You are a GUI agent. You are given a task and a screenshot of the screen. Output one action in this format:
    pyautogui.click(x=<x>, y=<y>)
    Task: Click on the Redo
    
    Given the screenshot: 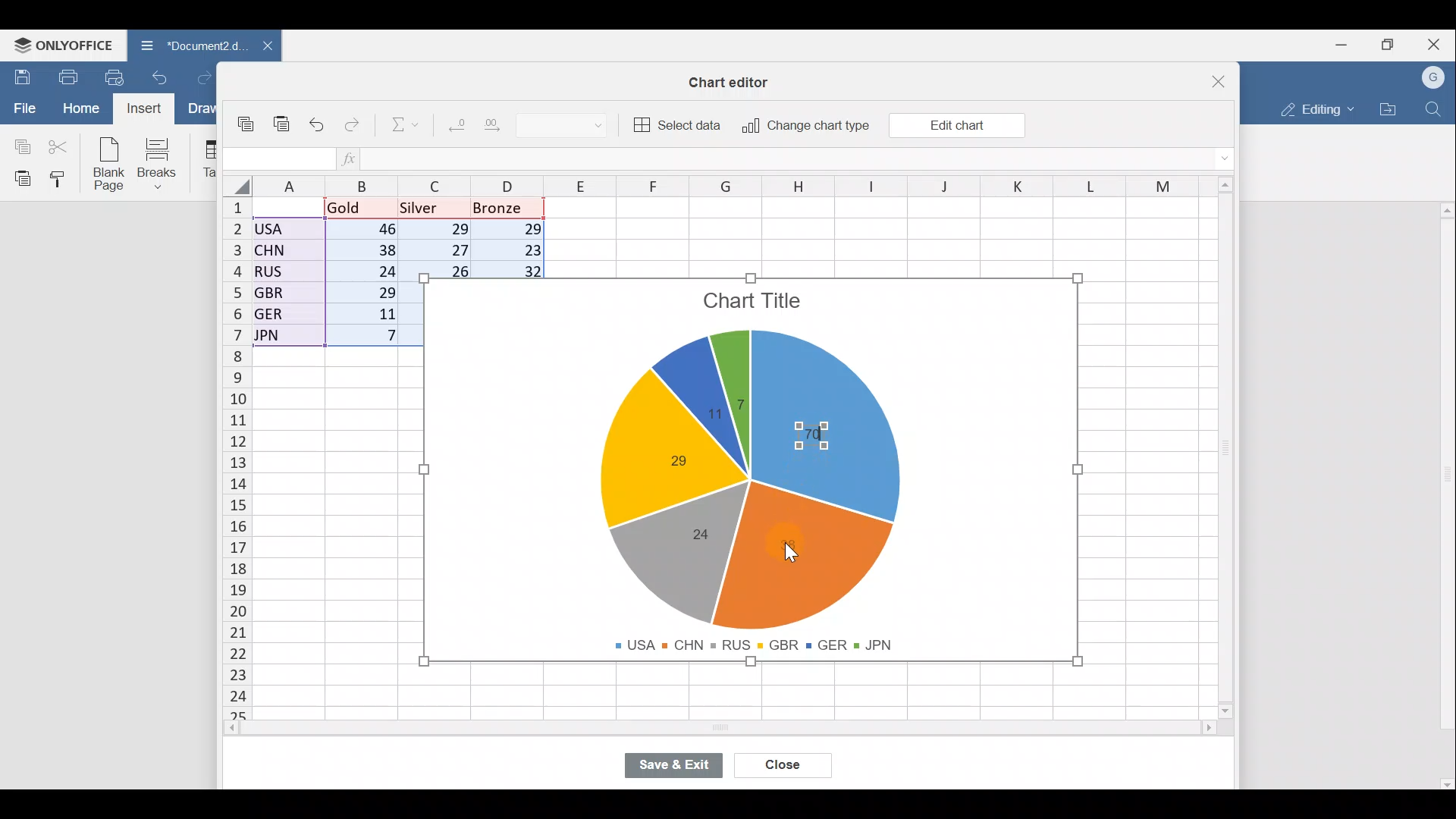 What is the action you would take?
    pyautogui.click(x=210, y=79)
    